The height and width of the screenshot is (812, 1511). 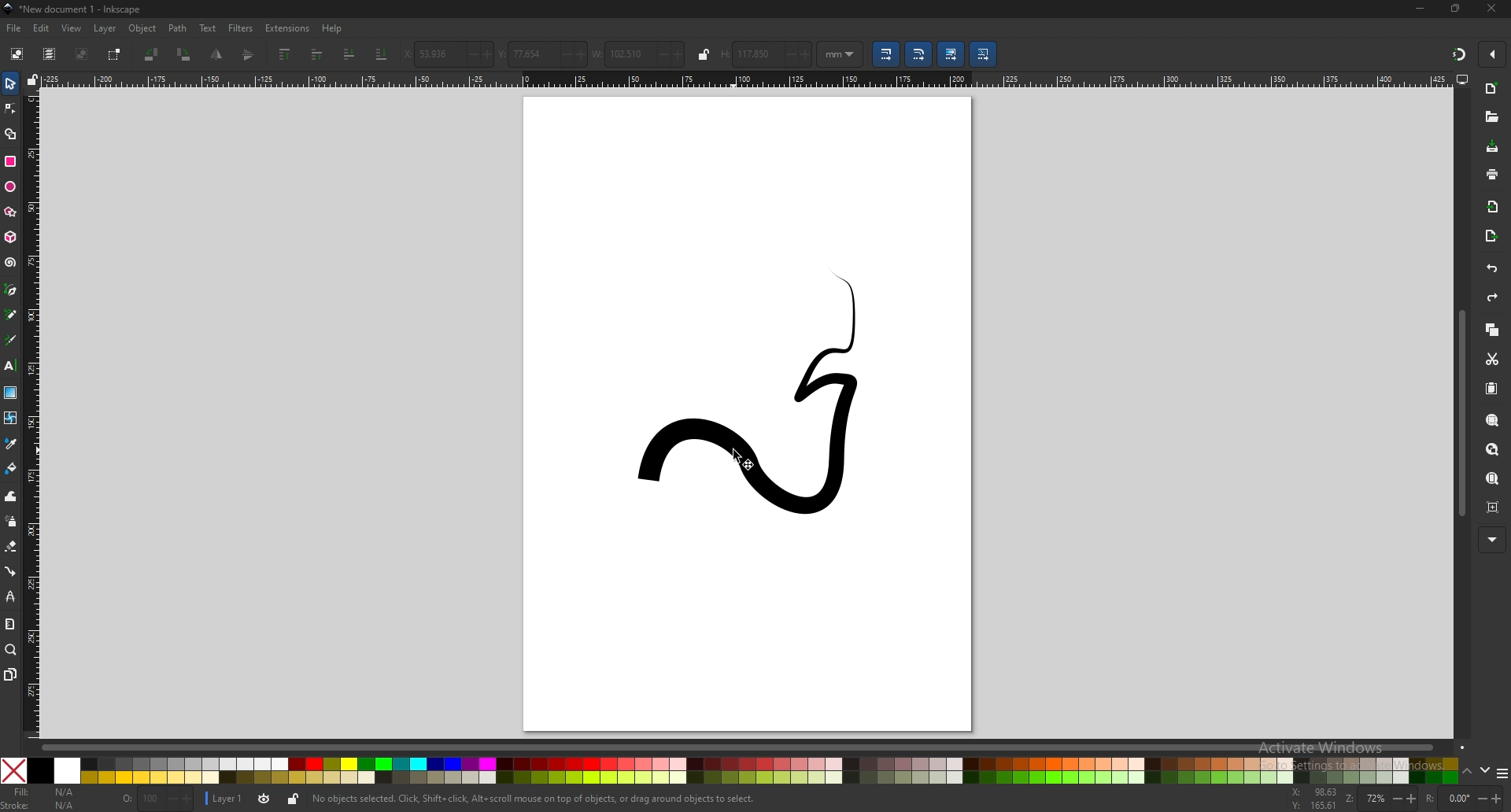 I want to click on shape builder, so click(x=12, y=134).